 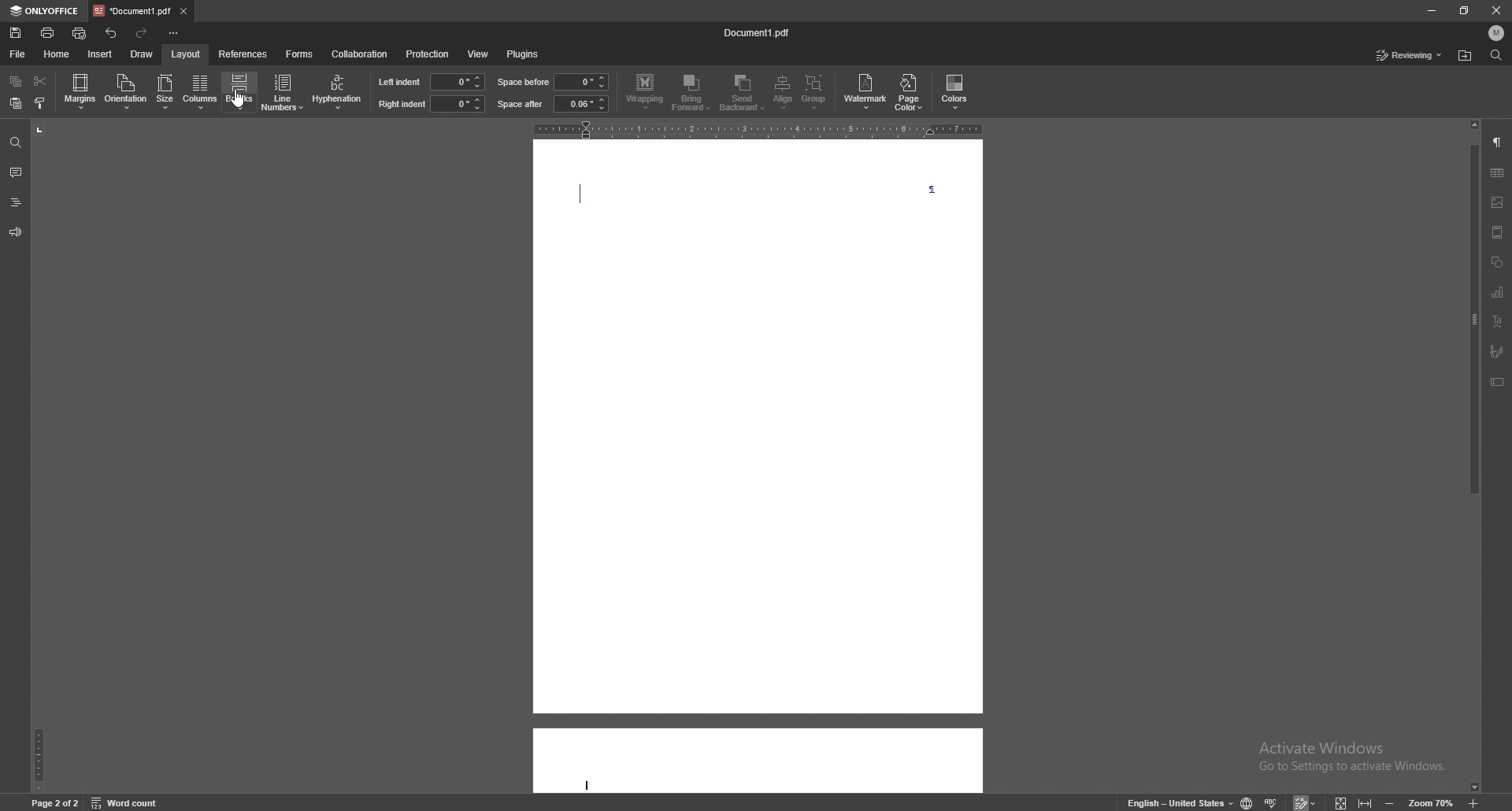 I want to click on Send backward, so click(x=742, y=93).